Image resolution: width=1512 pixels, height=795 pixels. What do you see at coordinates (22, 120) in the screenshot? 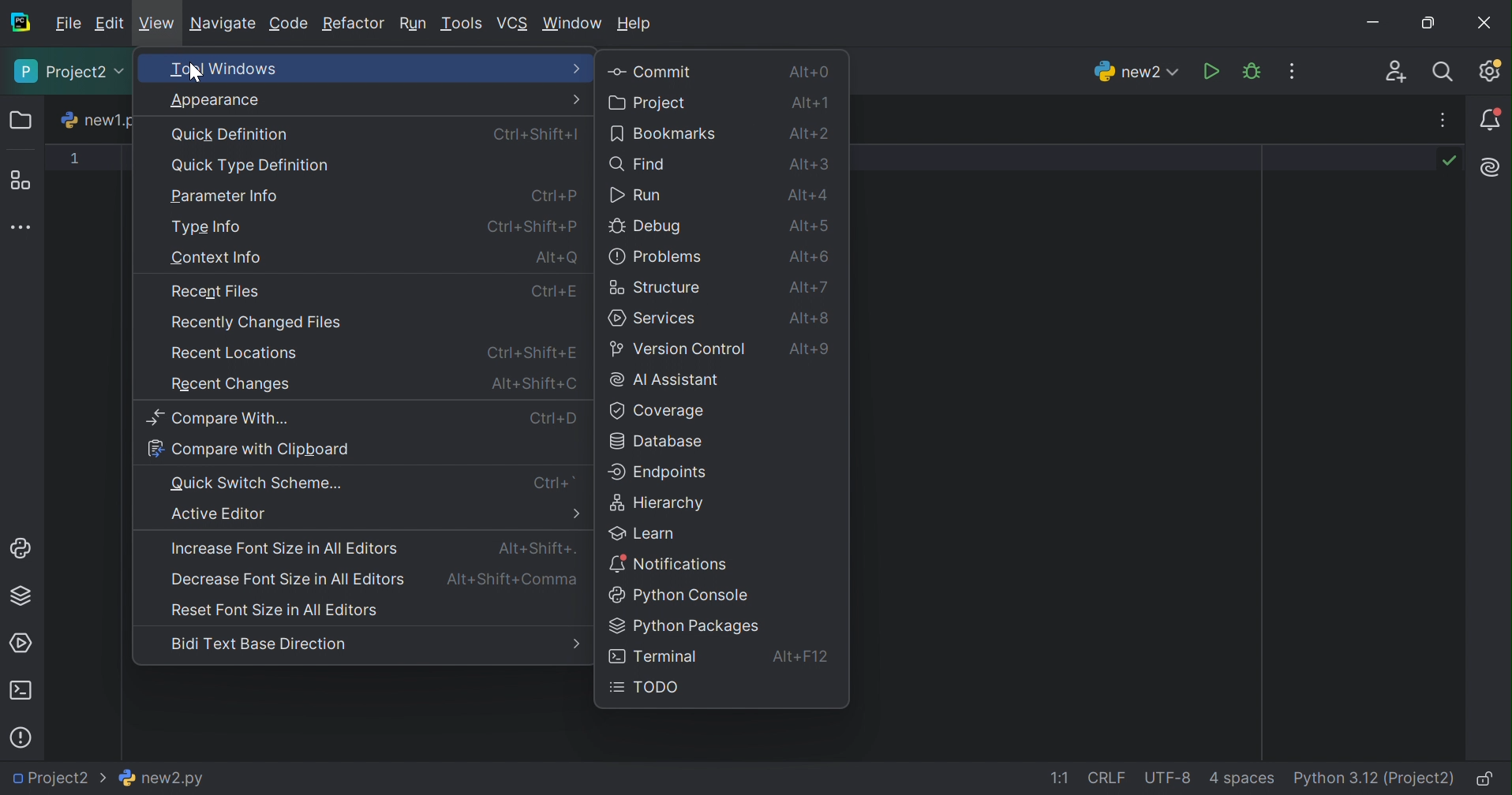
I see `` at bounding box center [22, 120].